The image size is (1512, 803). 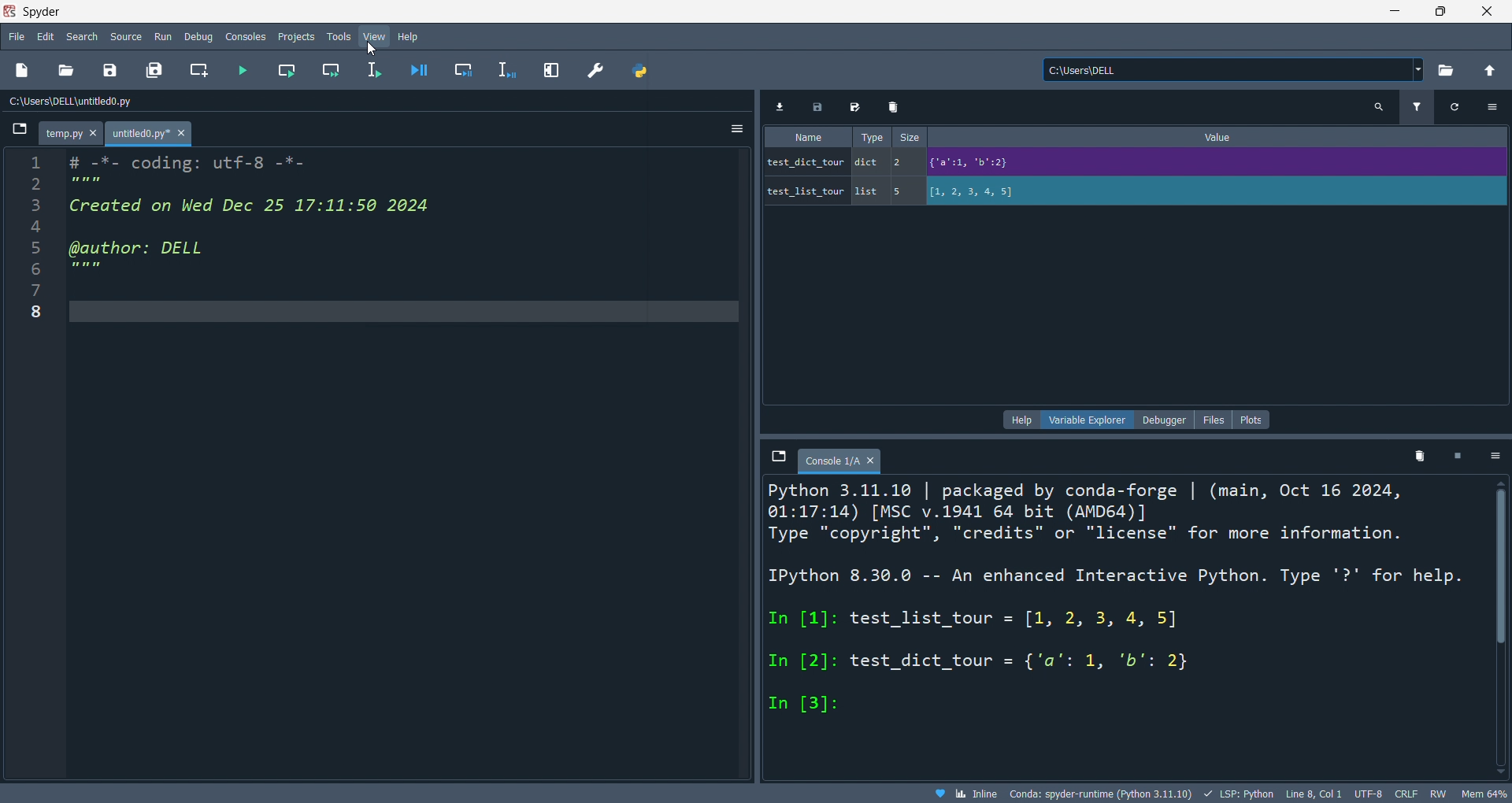 I want to click on temp.py, so click(x=73, y=135).